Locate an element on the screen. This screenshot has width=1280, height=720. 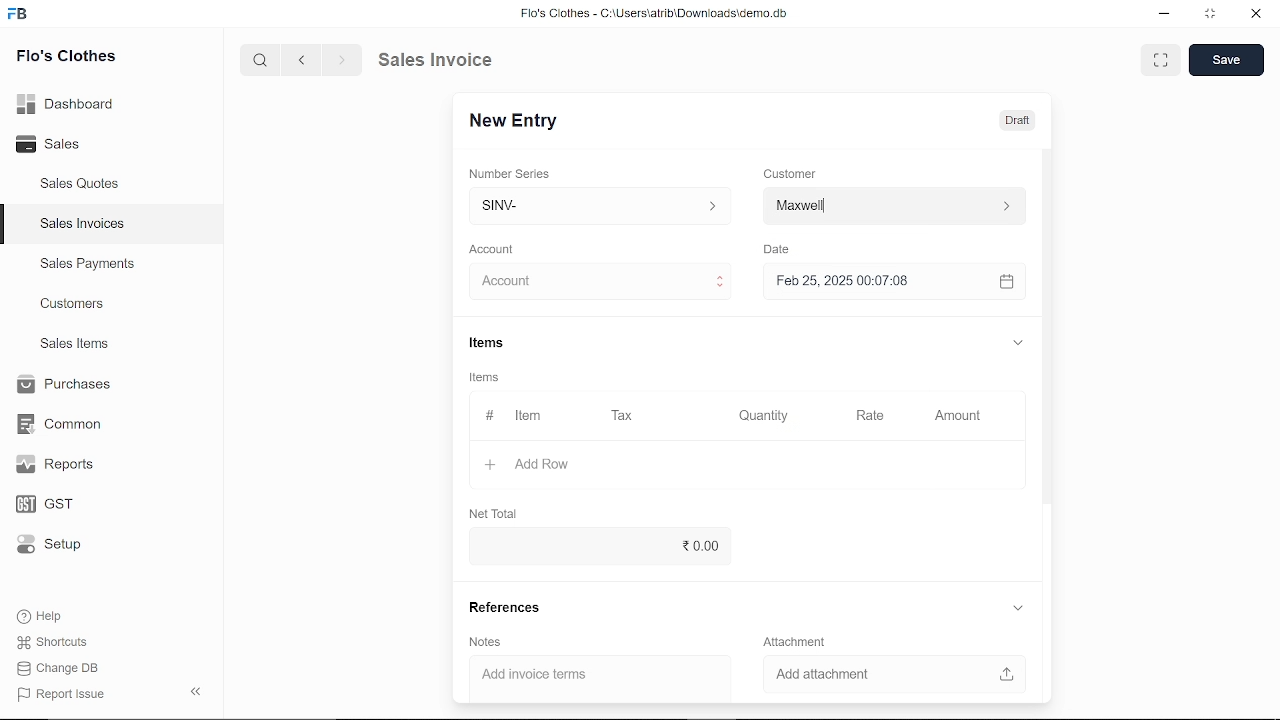
Items is located at coordinates (487, 376).